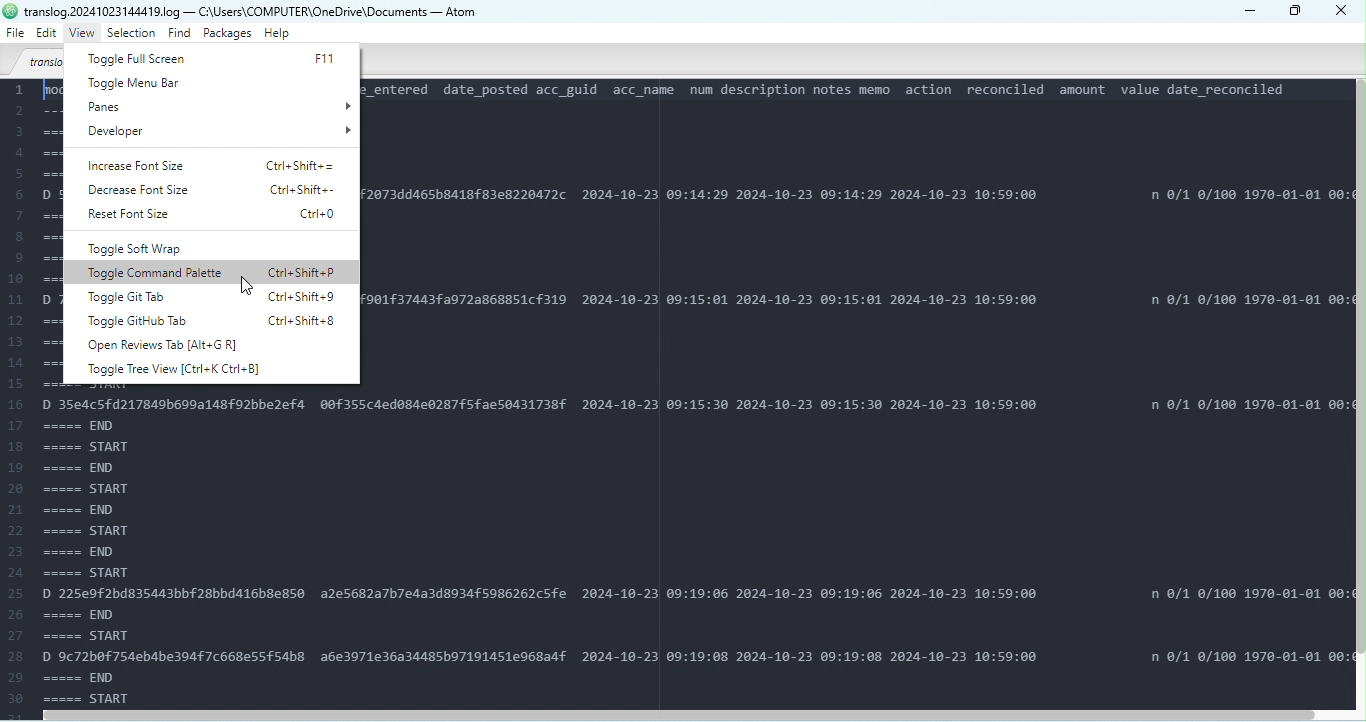  I want to click on Open review tab, so click(198, 345).